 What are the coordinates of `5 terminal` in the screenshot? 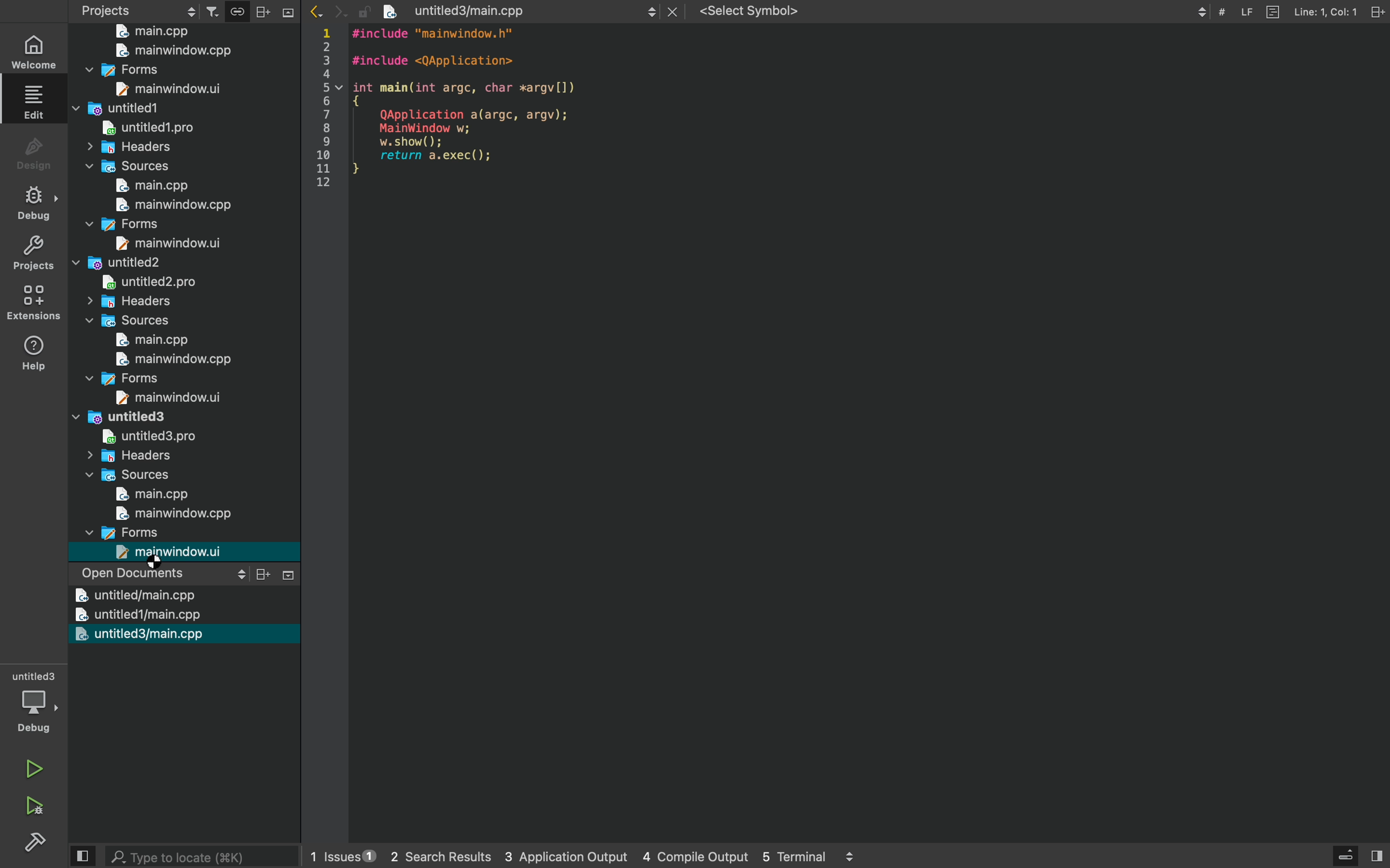 It's located at (803, 857).